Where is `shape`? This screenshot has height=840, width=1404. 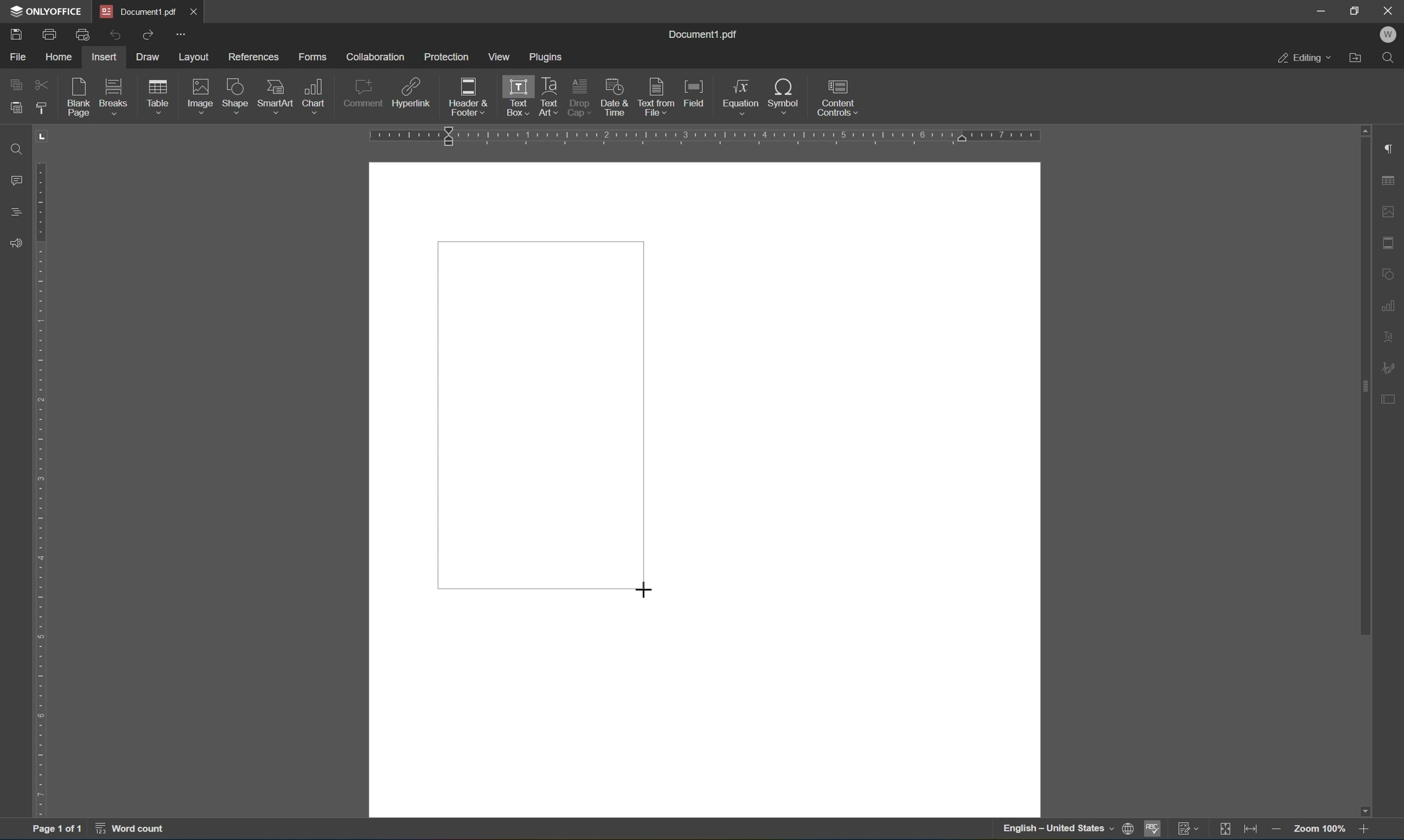
shape is located at coordinates (238, 97).